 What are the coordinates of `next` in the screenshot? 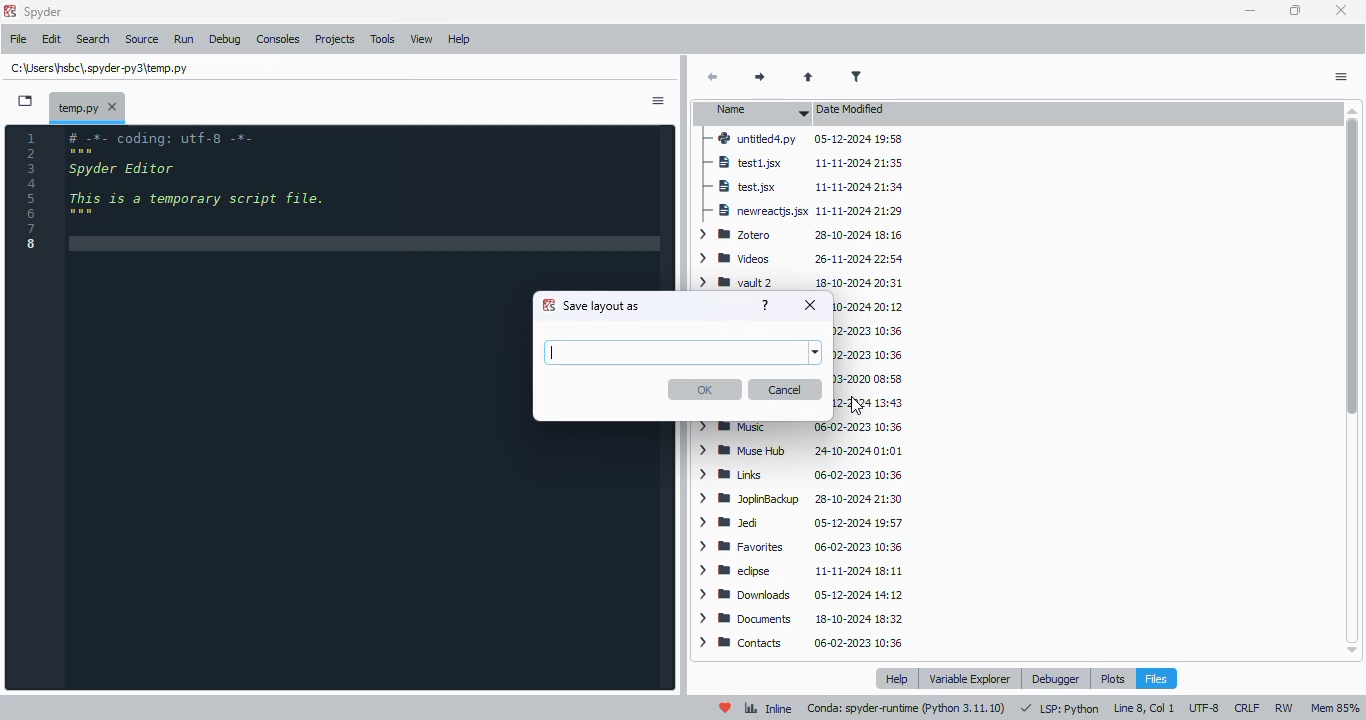 It's located at (760, 78).